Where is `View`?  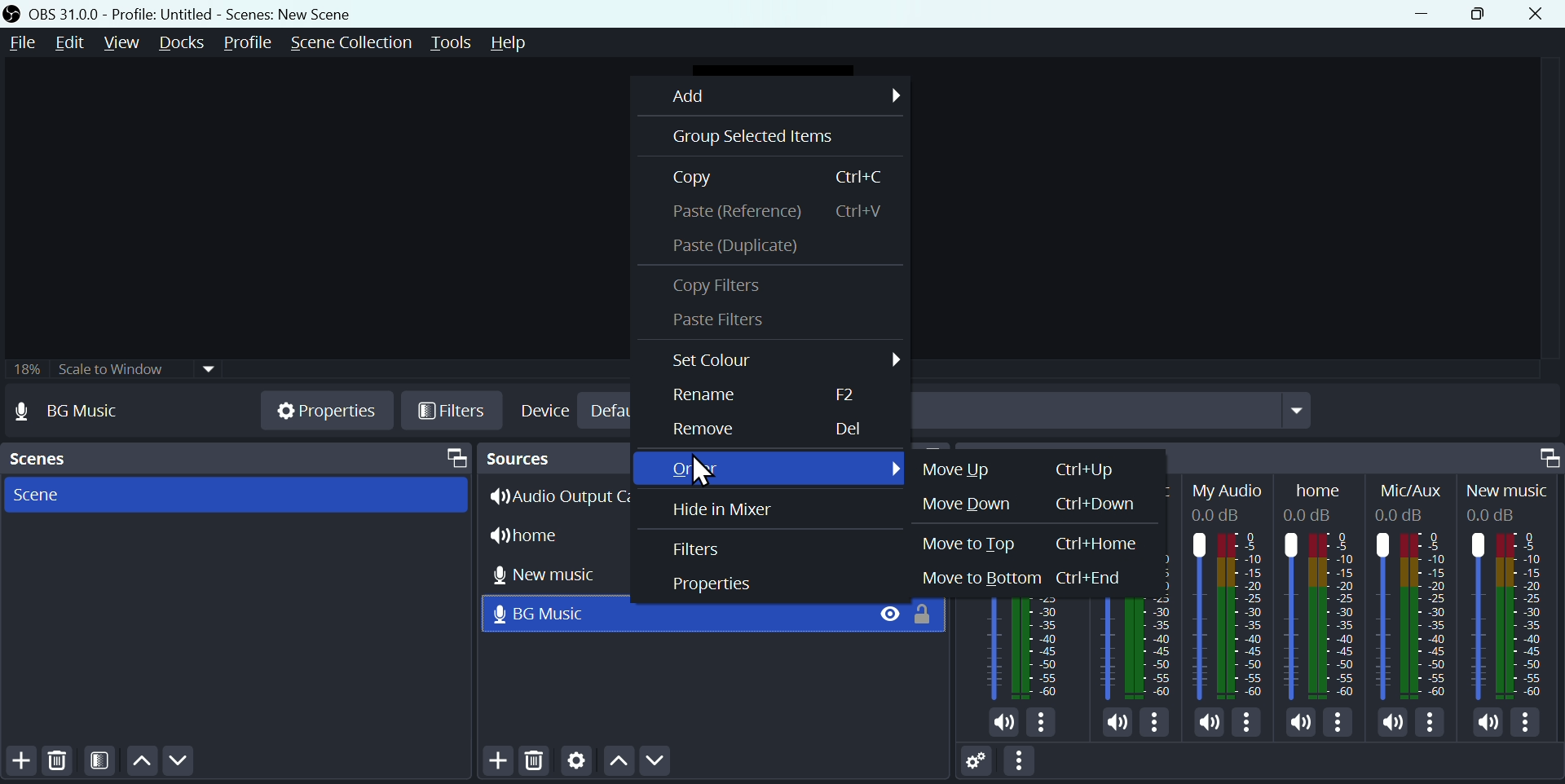 View is located at coordinates (125, 40).